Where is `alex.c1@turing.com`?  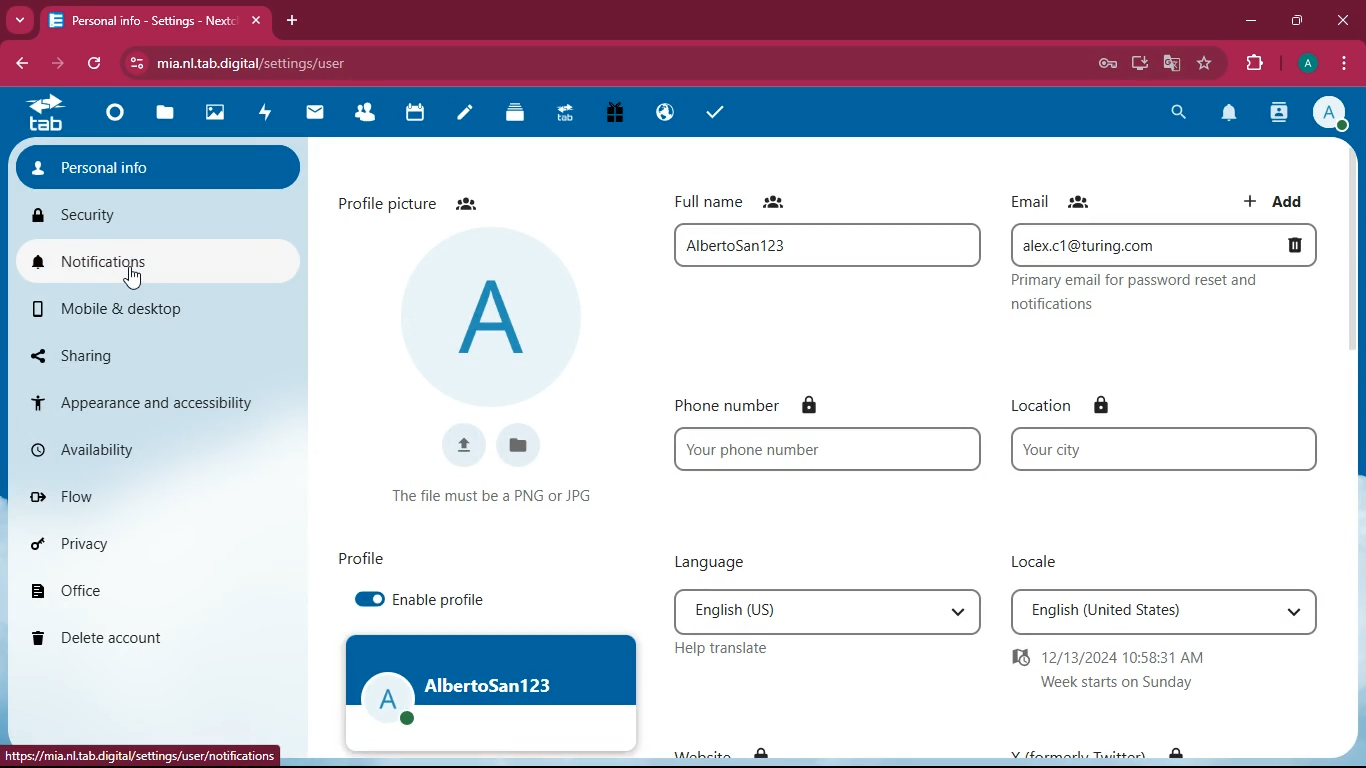
alex.c1@turing.com is located at coordinates (1142, 246).